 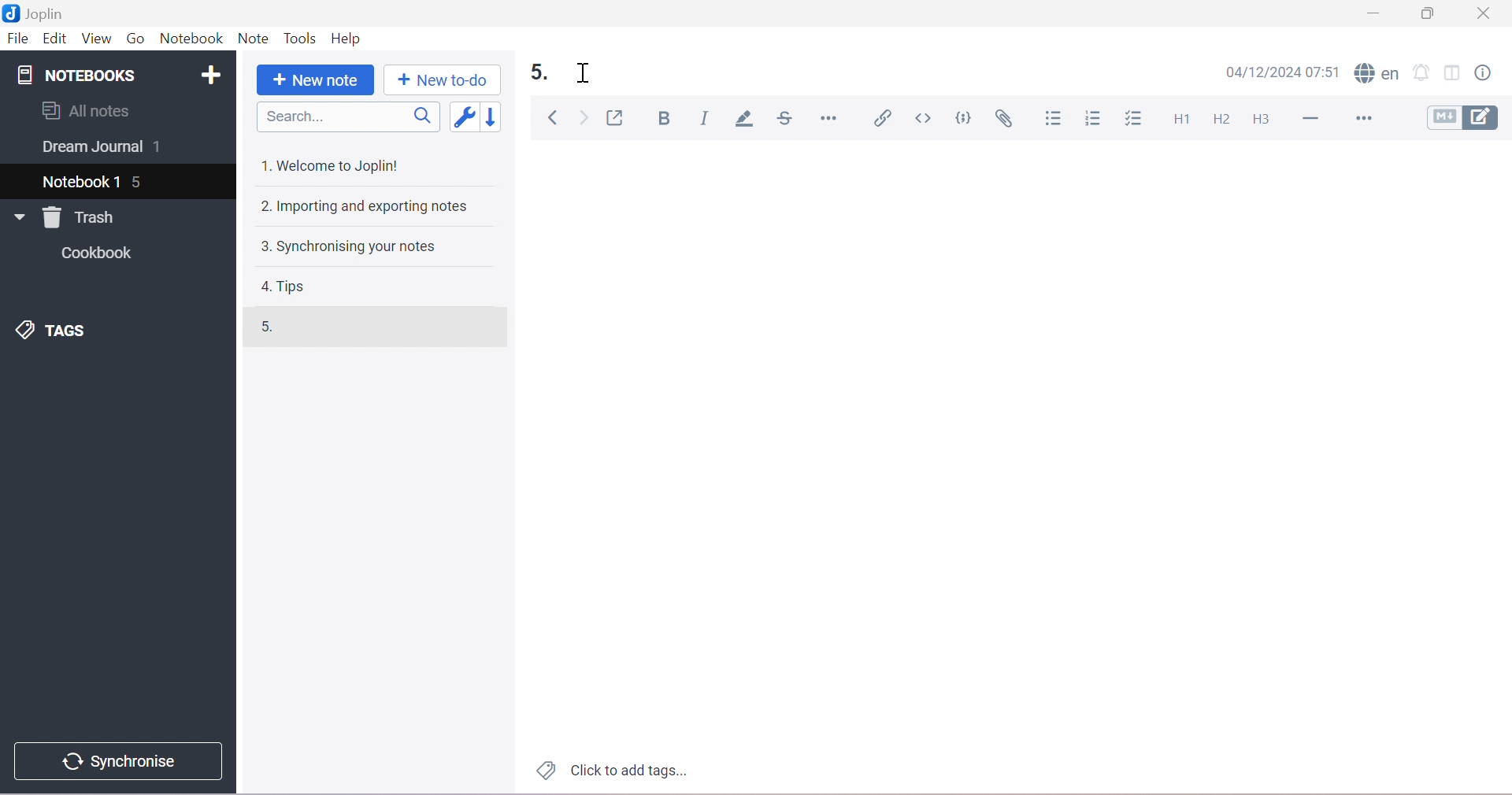 What do you see at coordinates (925, 118) in the screenshot?
I see `Inline code` at bounding box center [925, 118].